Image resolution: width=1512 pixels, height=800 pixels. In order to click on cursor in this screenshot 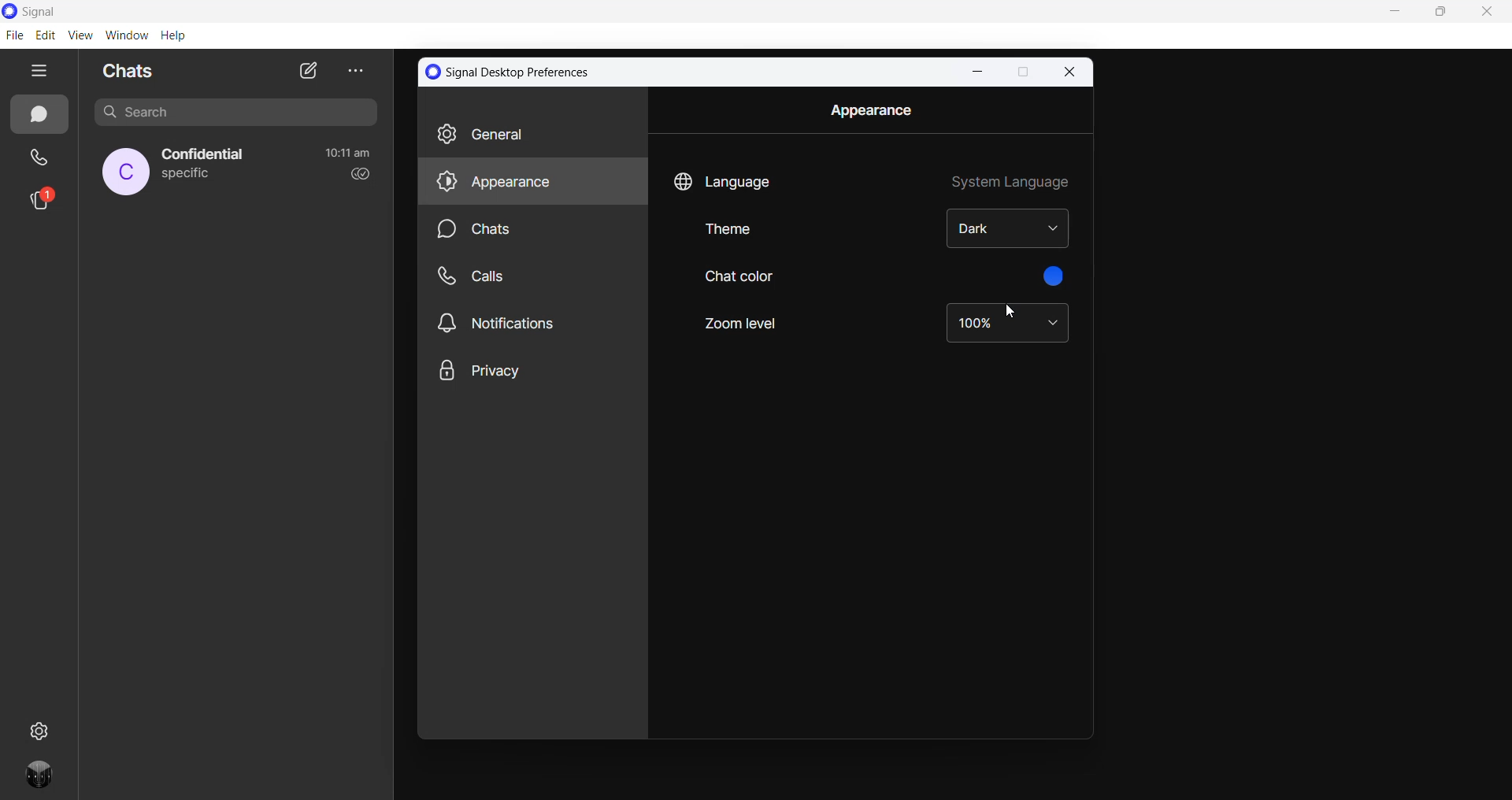, I will do `click(1014, 315)`.